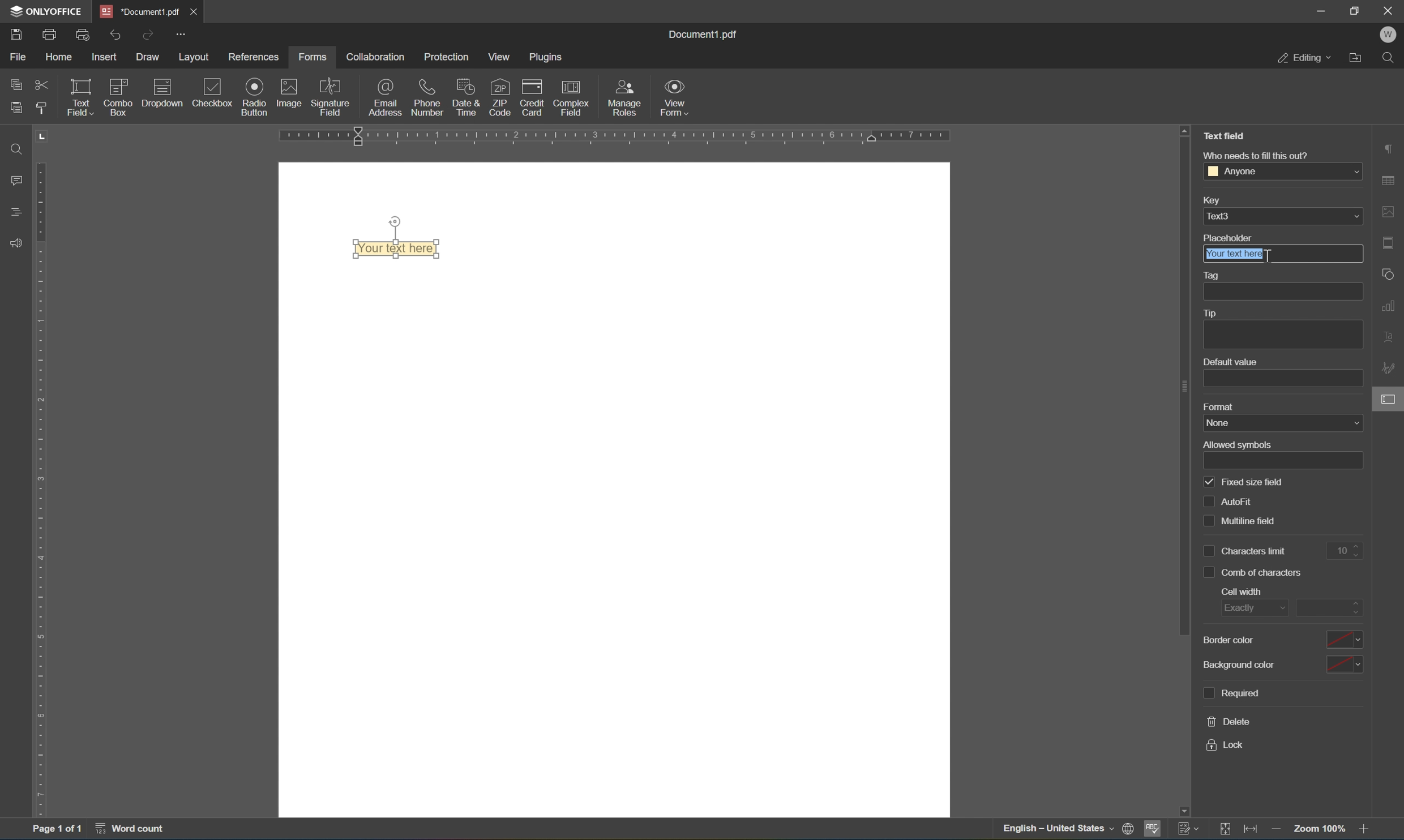  Describe the element at coordinates (19, 179) in the screenshot. I see `comments` at that location.